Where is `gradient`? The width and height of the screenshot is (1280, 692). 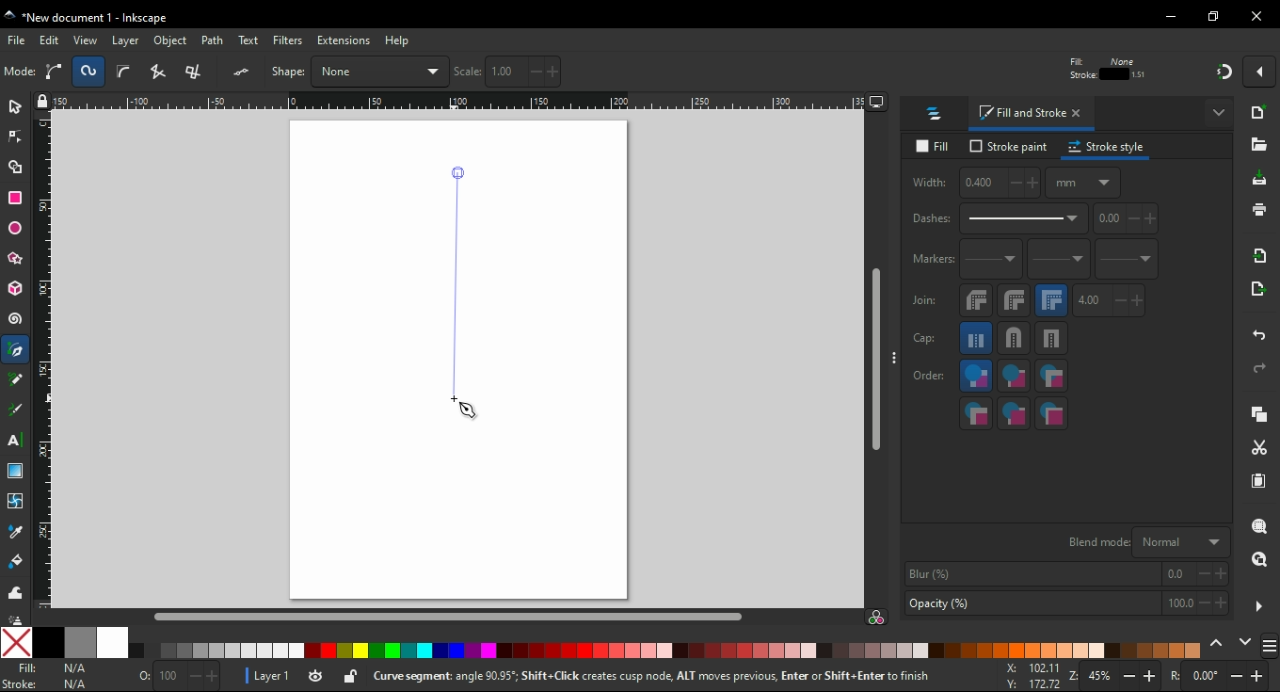
gradient is located at coordinates (15, 471).